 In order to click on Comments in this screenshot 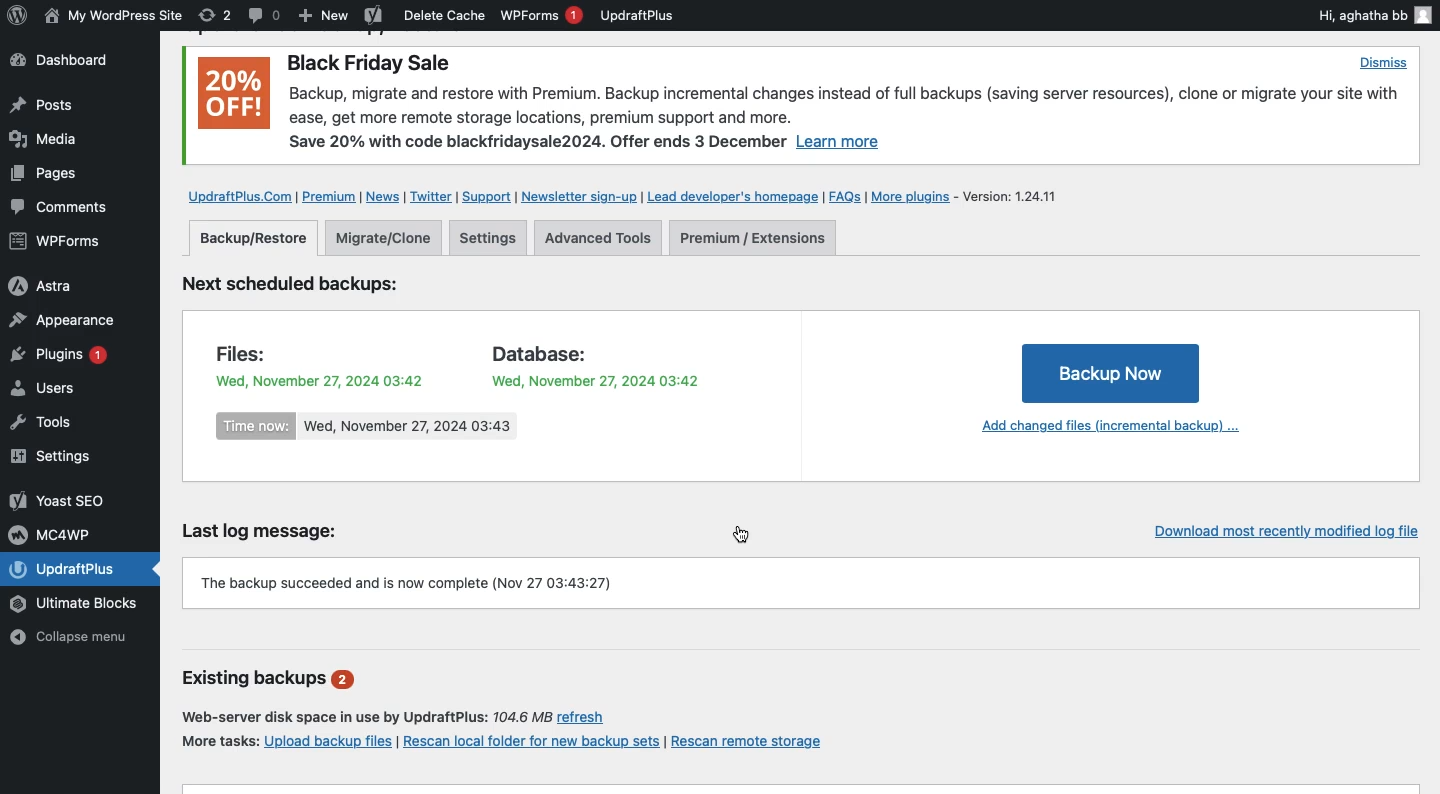, I will do `click(62, 208)`.